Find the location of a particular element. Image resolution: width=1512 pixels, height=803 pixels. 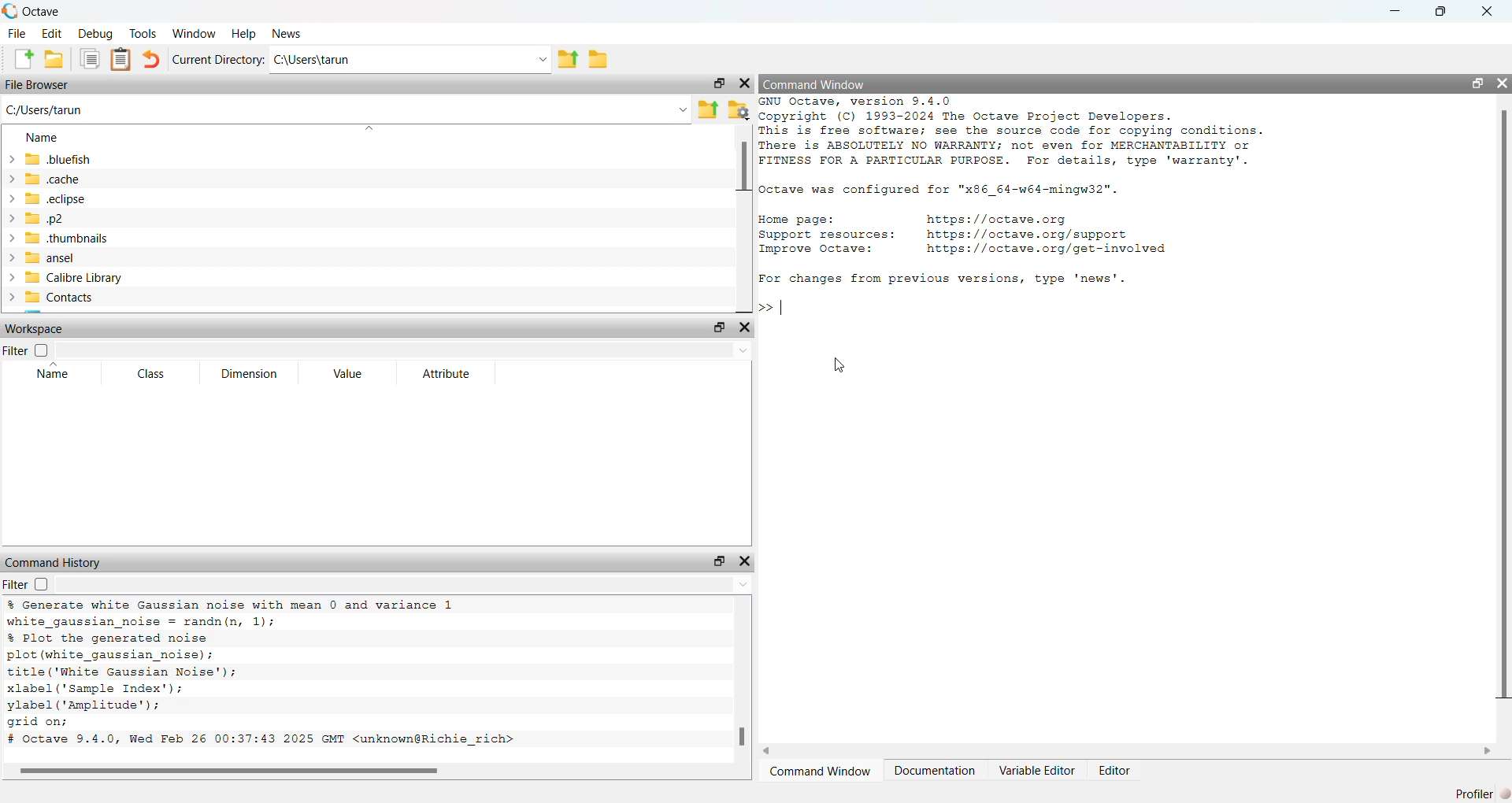

typing cursor is located at coordinates (779, 308).